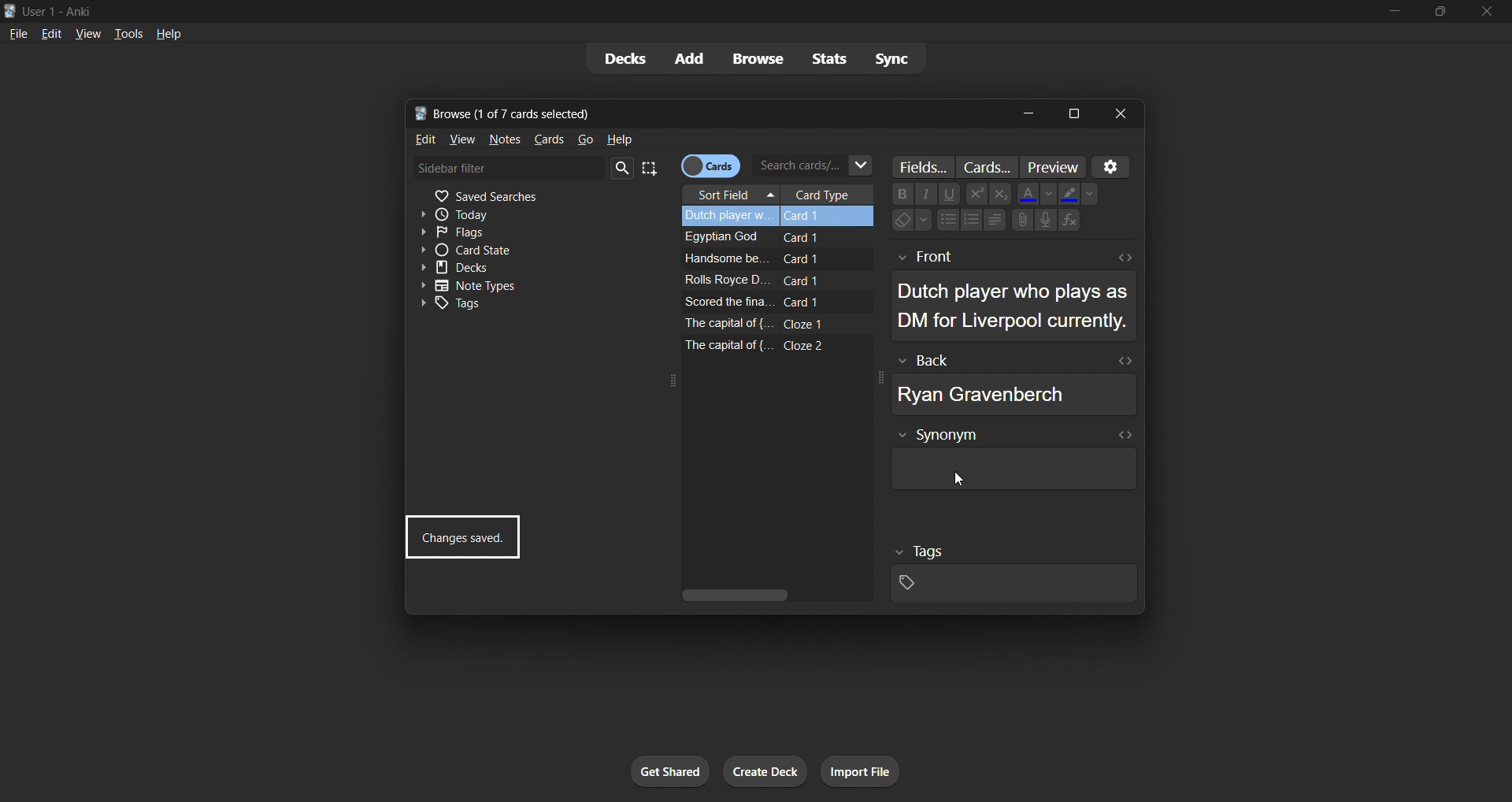 Image resolution: width=1512 pixels, height=802 pixels. Describe the element at coordinates (86, 32) in the screenshot. I see `view` at that location.